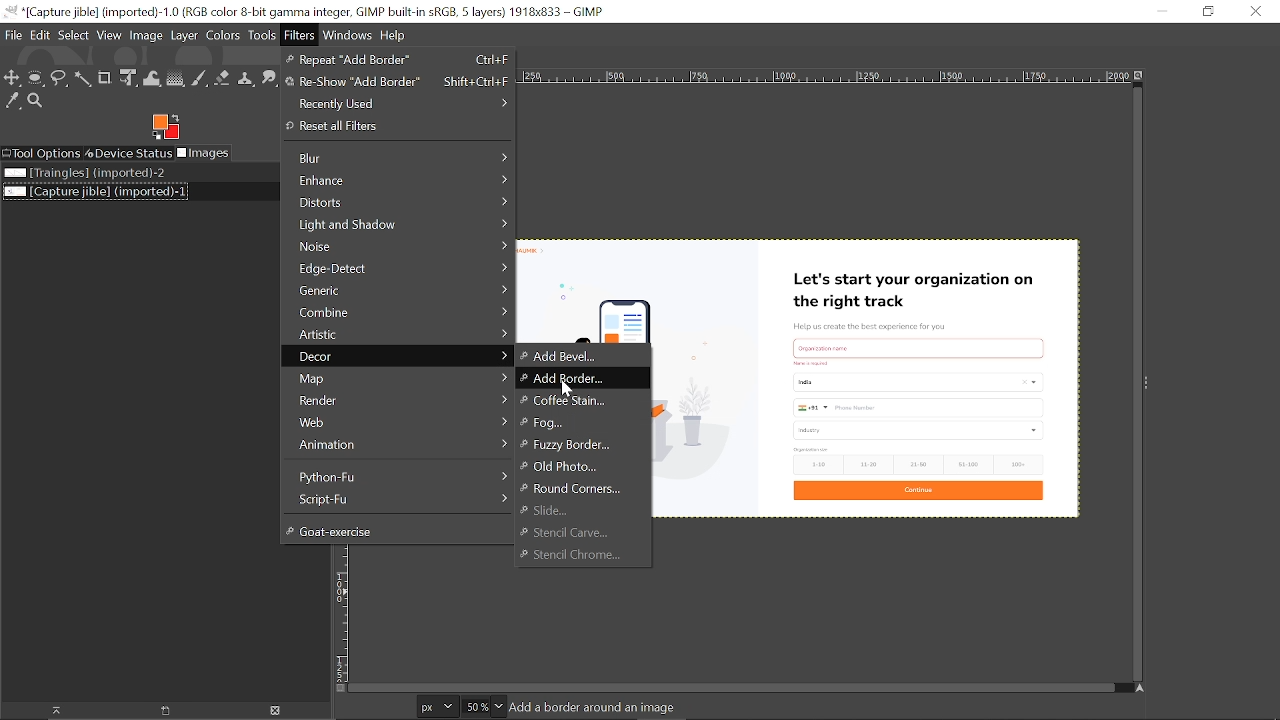  What do you see at coordinates (282, 710) in the screenshot?
I see `Delete image` at bounding box center [282, 710].